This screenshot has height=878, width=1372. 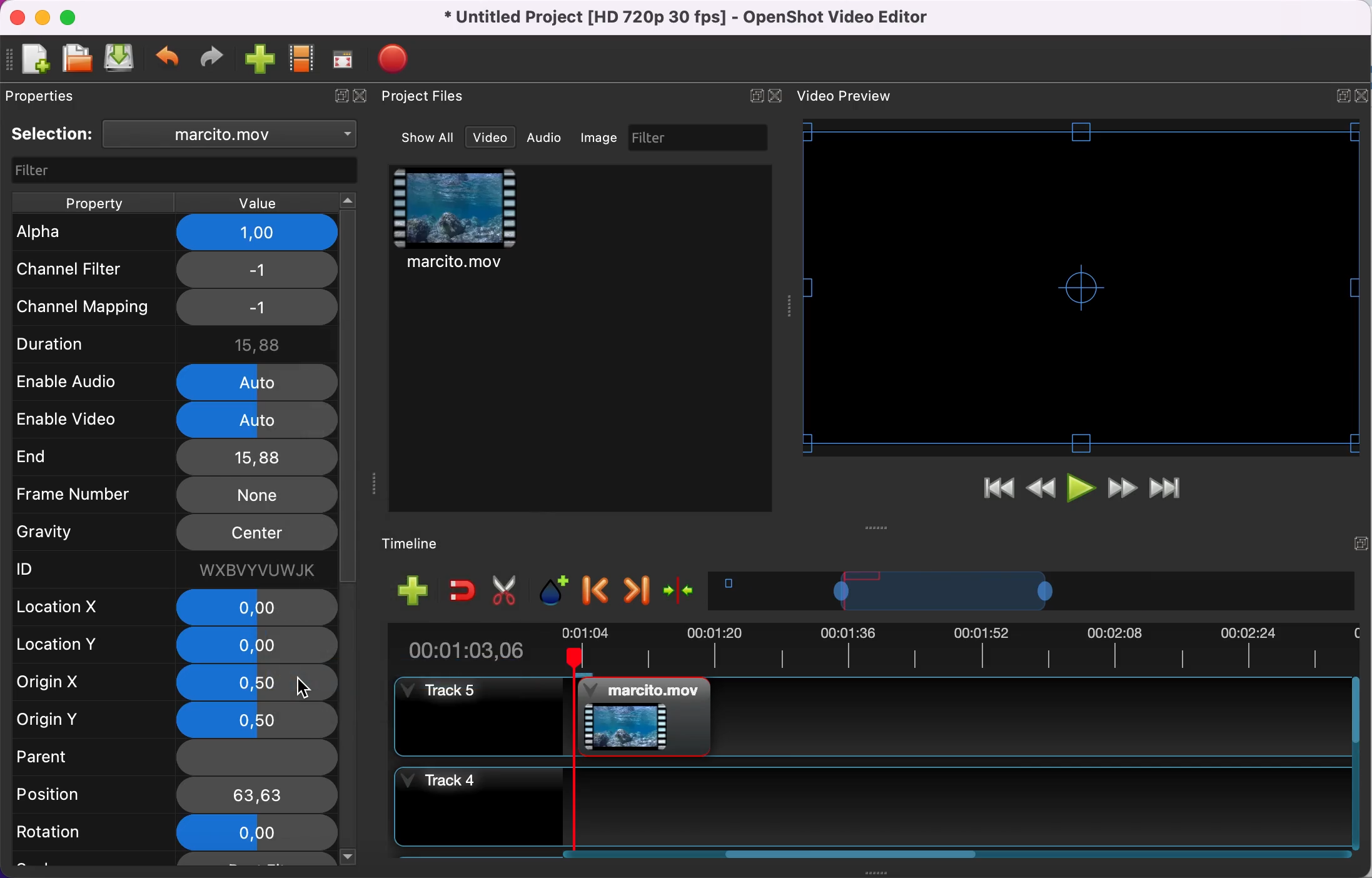 What do you see at coordinates (186, 171) in the screenshot?
I see `filter` at bounding box center [186, 171].